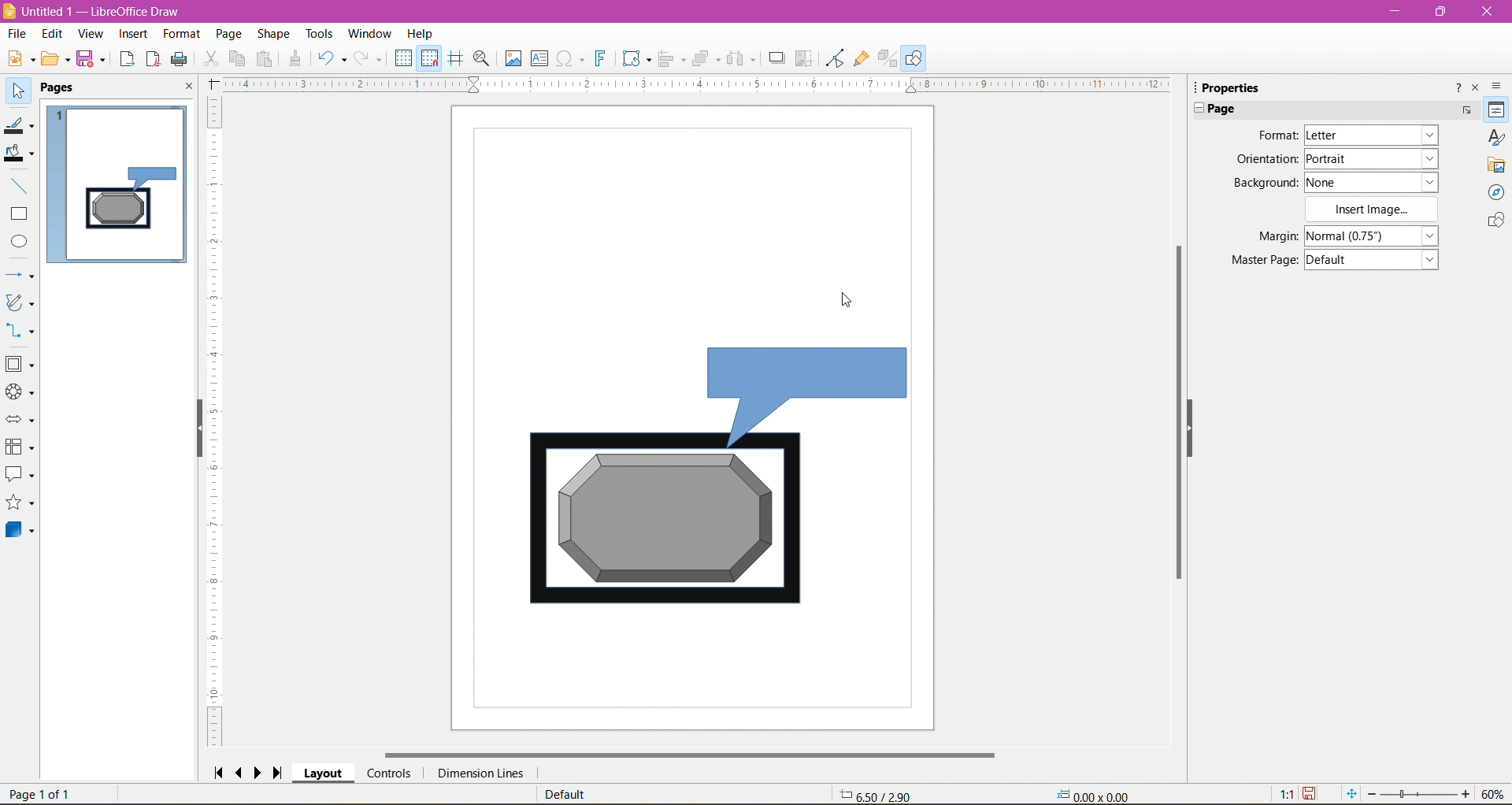 This screenshot has width=1512, height=805. I want to click on Help about this sidebar deck, so click(1456, 87).